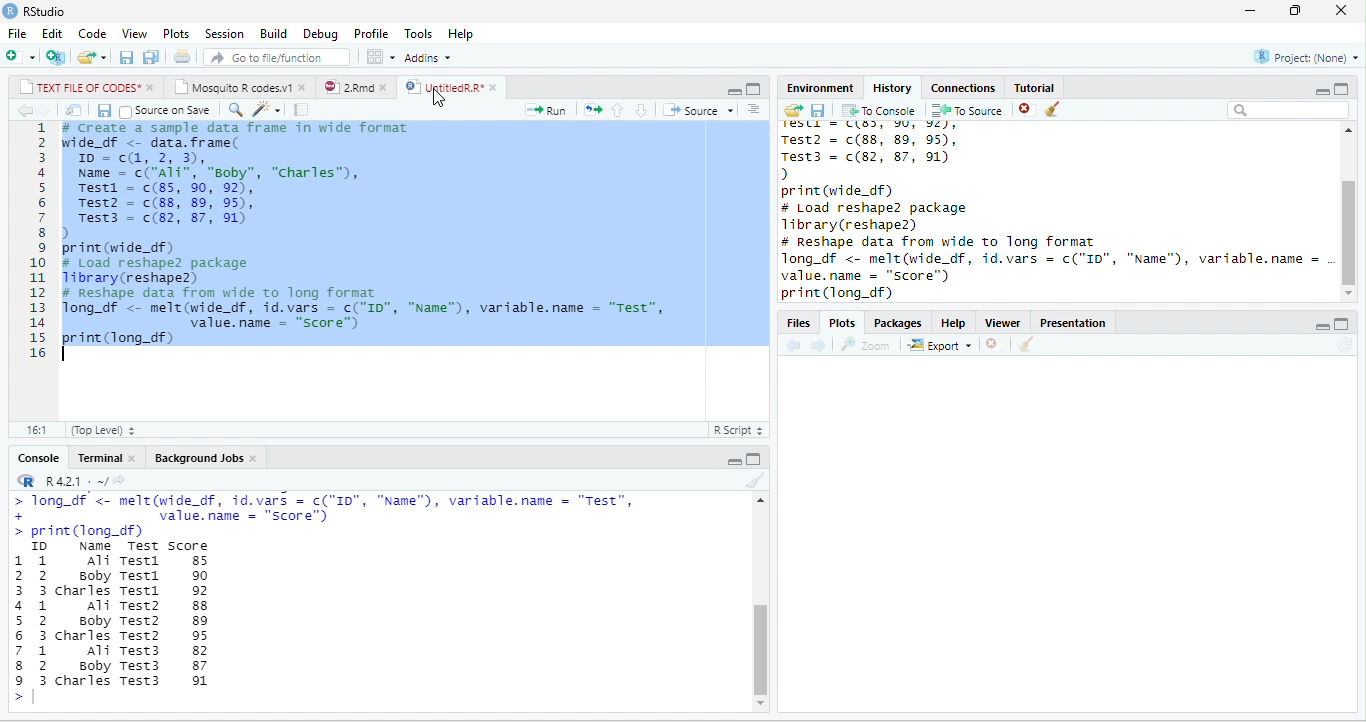 The width and height of the screenshot is (1366, 722). Describe the element at coordinates (438, 98) in the screenshot. I see `cursor` at that location.